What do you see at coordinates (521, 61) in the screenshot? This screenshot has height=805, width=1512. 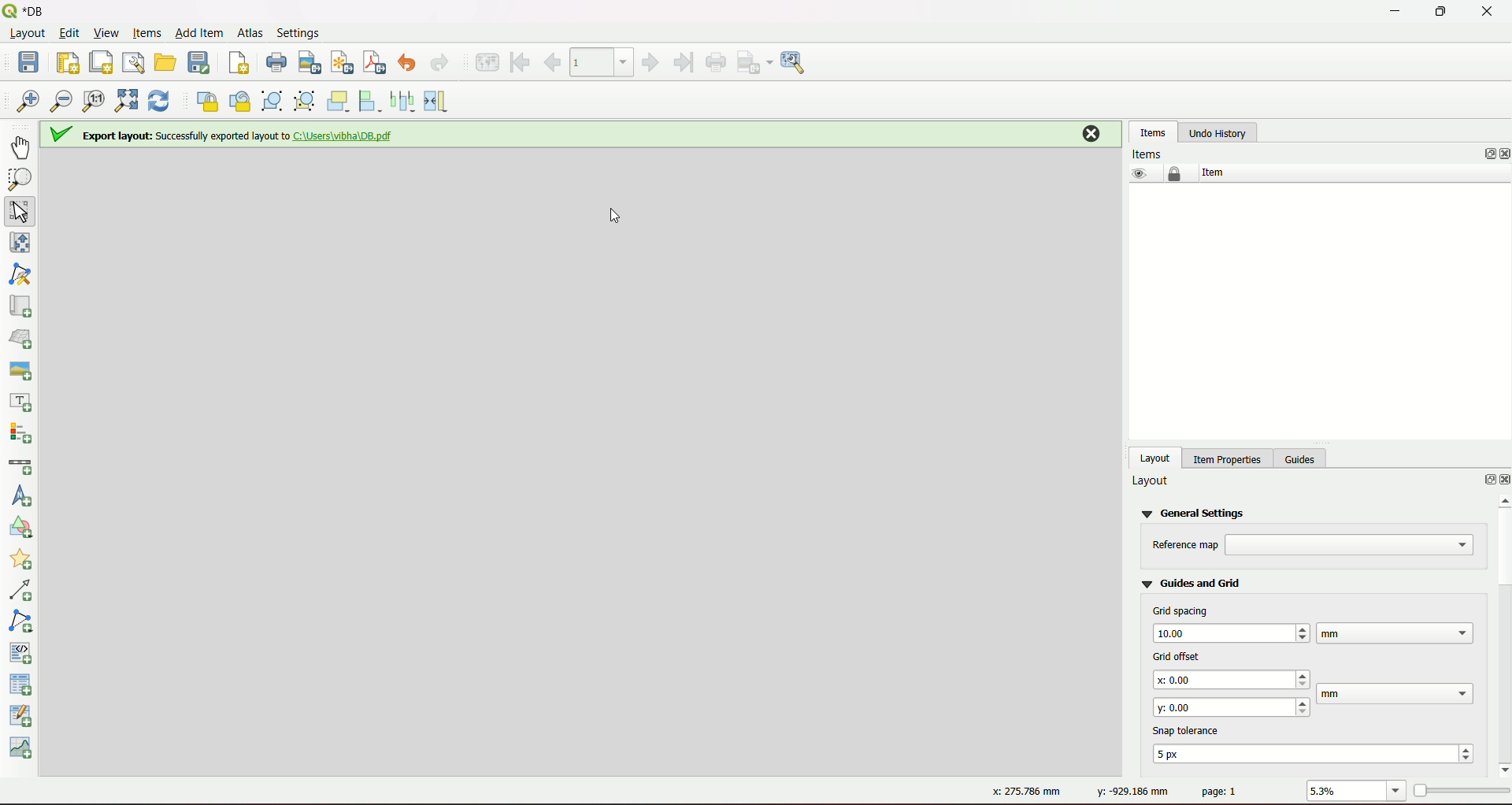 I see `first feature` at bounding box center [521, 61].